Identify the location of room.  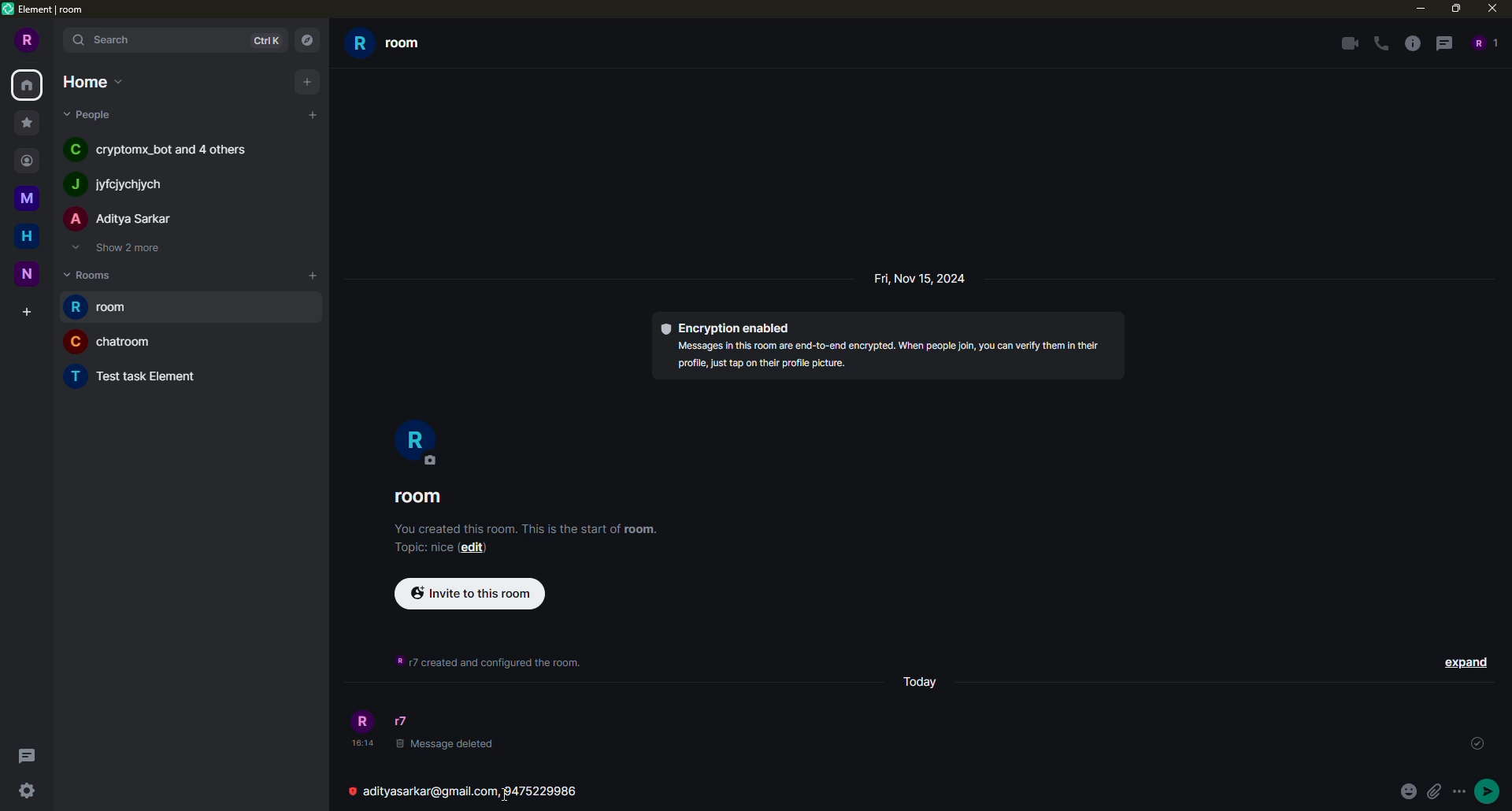
(109, 341).